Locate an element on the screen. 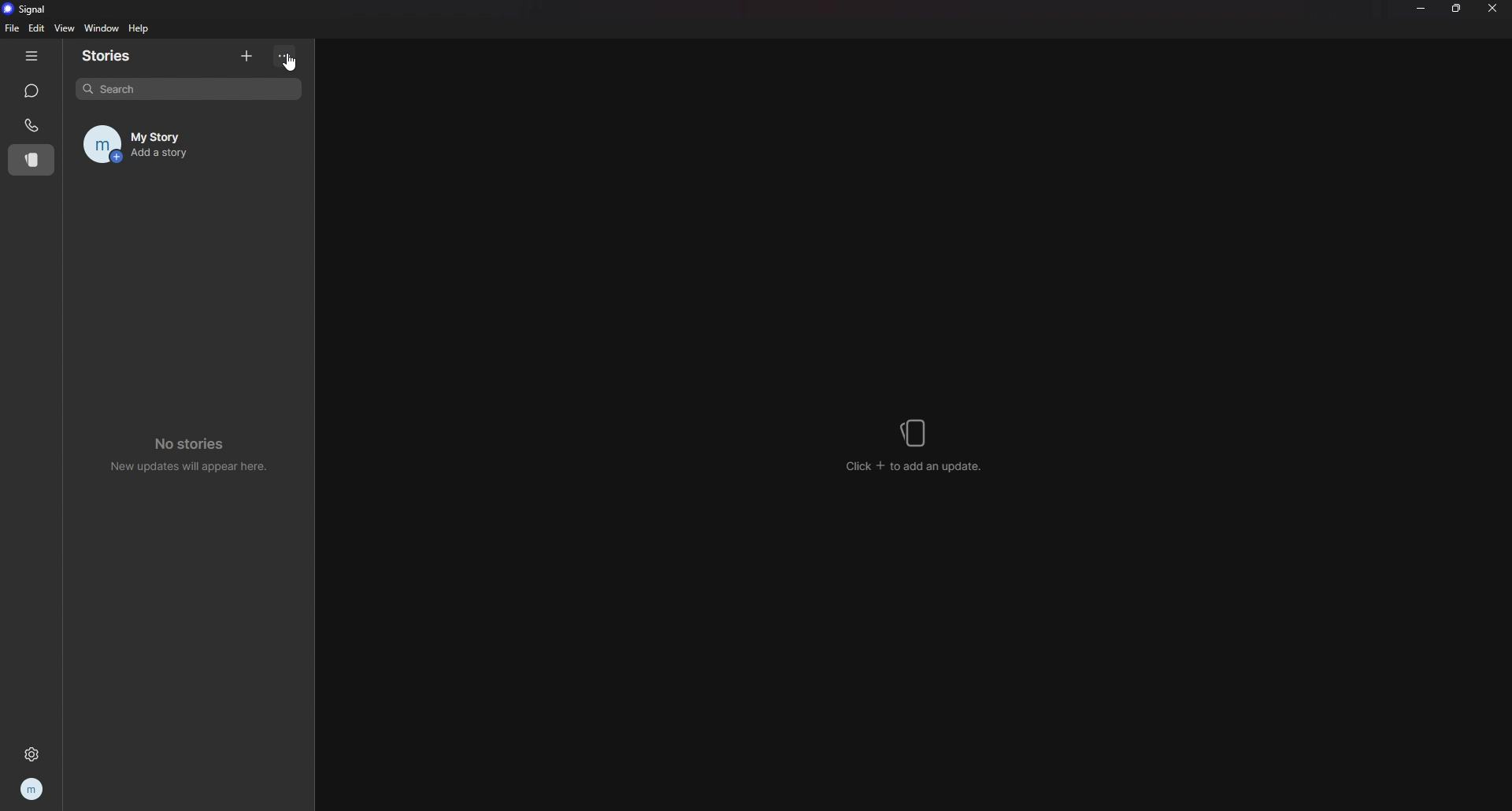  view is located at coordinates (64, 28).